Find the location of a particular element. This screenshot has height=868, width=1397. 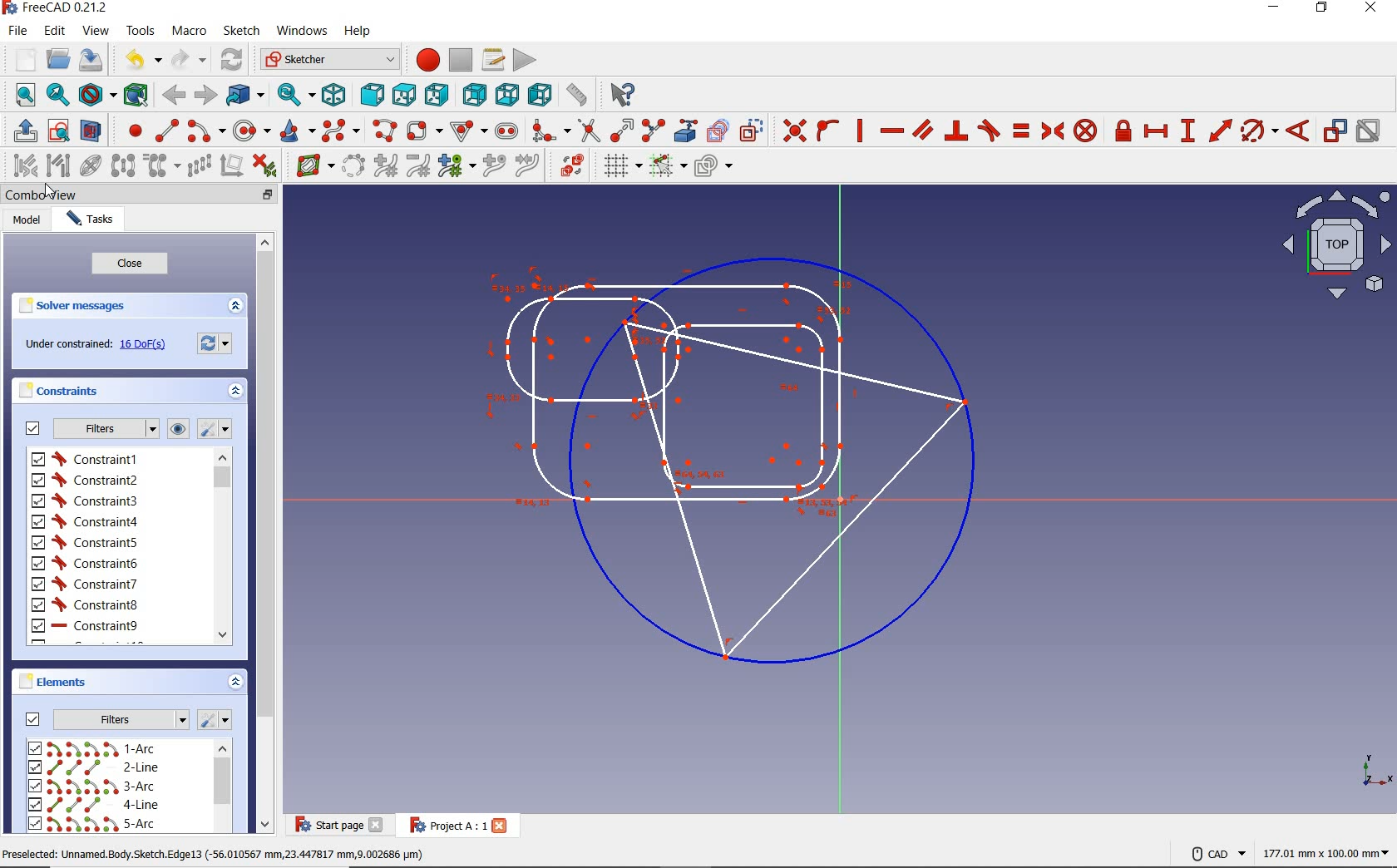

select associated geometry is located at coordinates (59, 165).